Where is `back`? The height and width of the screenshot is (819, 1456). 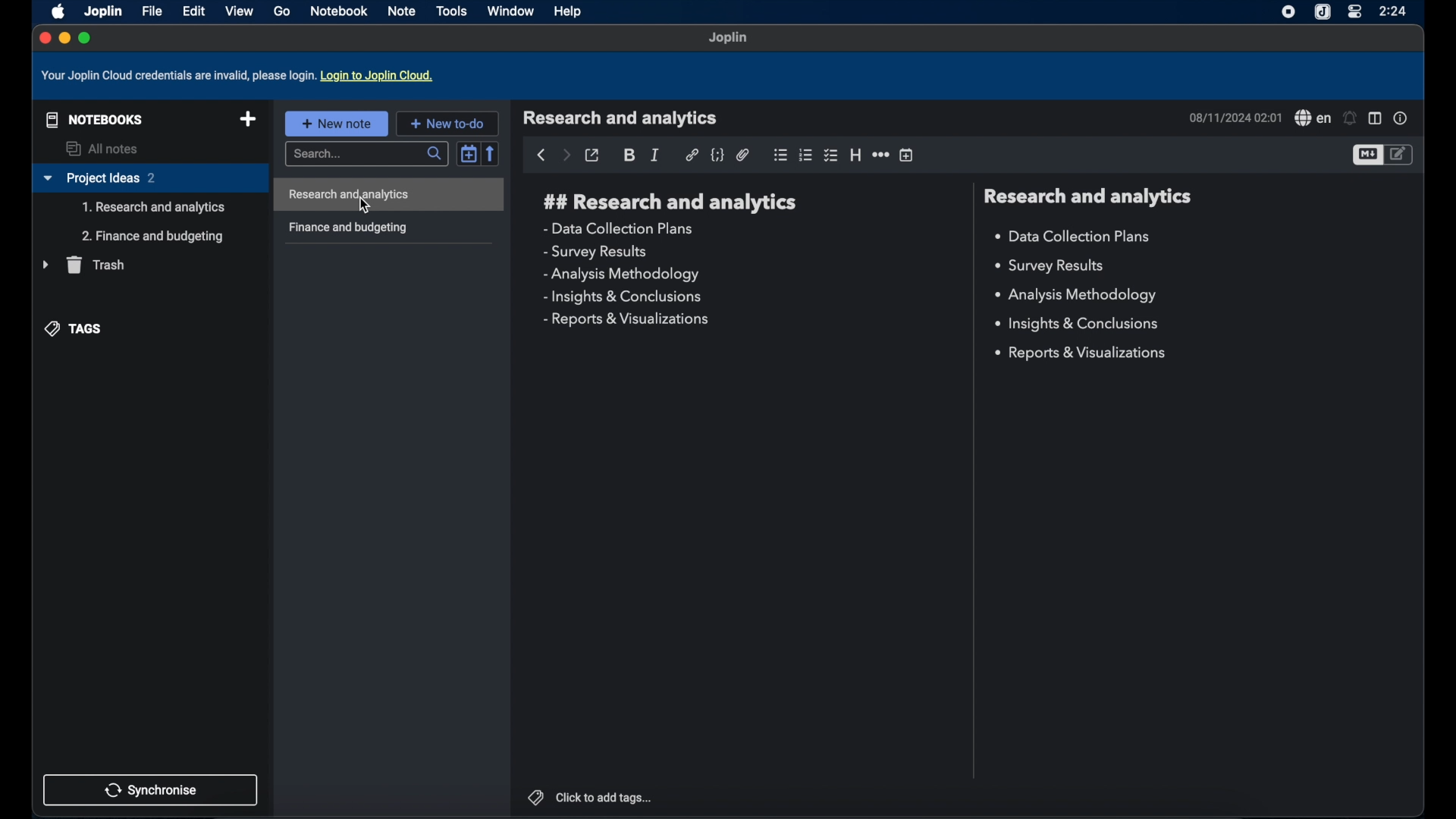
back is located at coordinates (541, 155).